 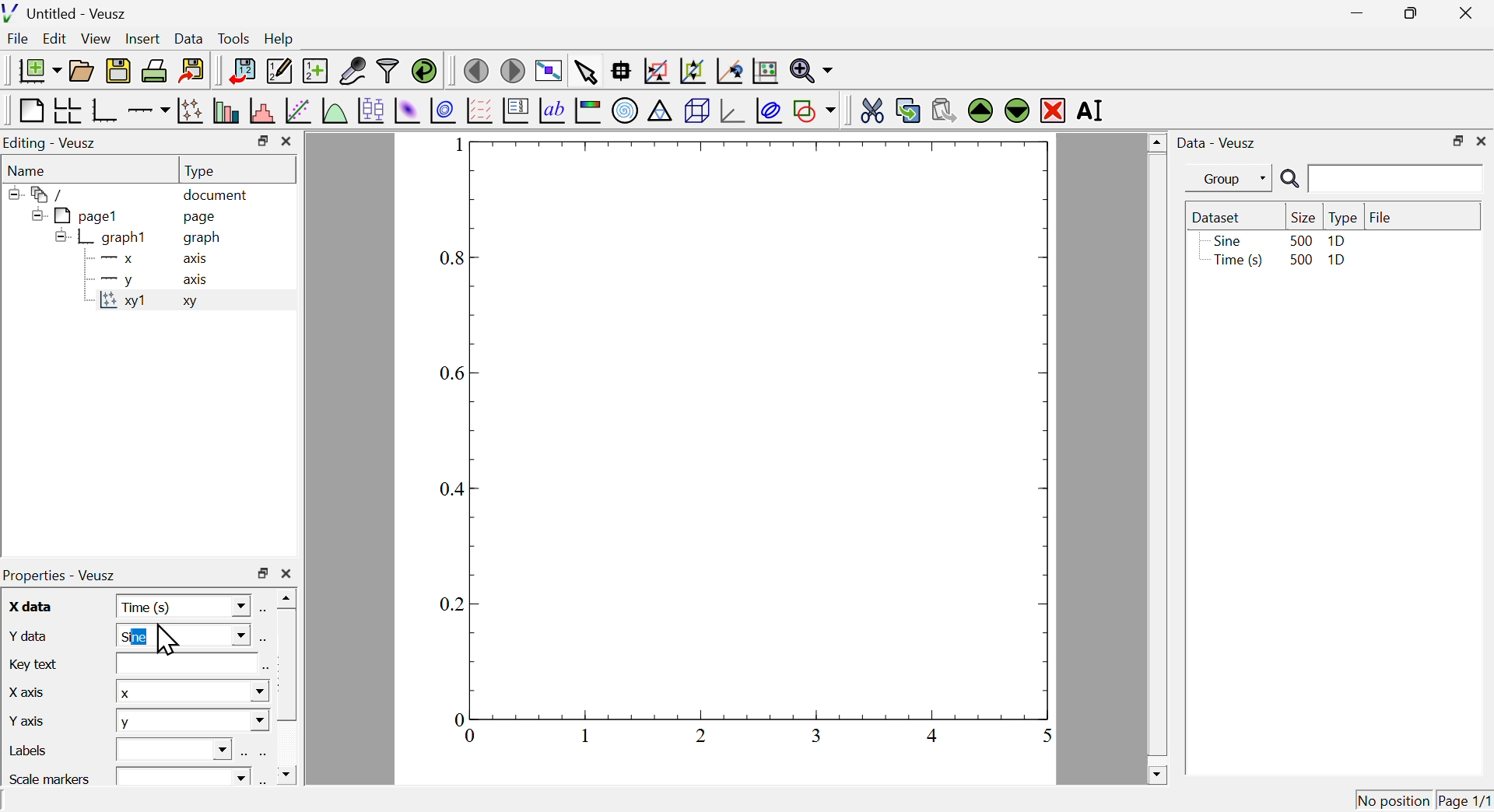 What do you see at coordinates (1482, 141) in the screenshot?
I see `close` at bounding box center [1482, 141].